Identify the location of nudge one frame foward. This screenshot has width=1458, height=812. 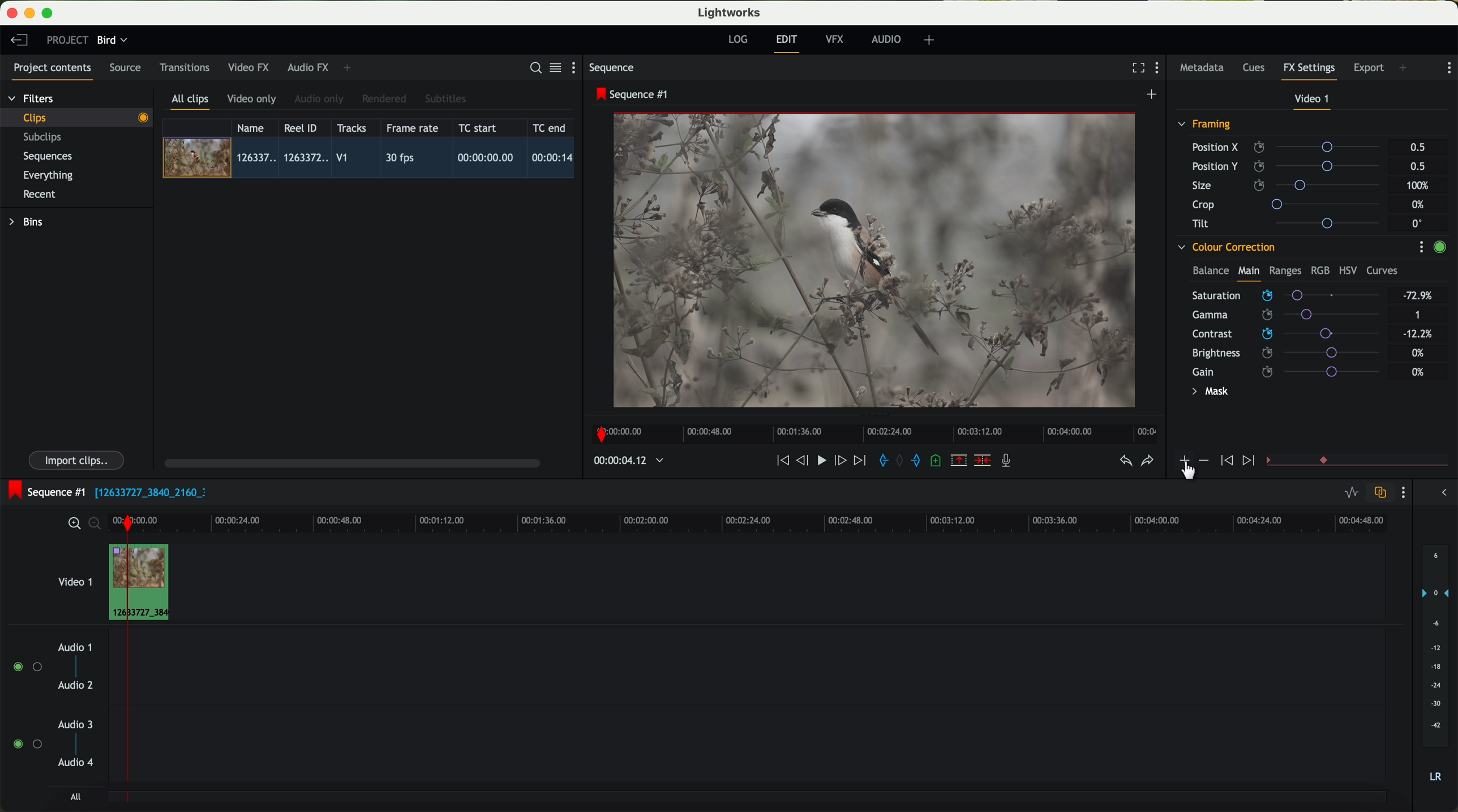
(842, 461).